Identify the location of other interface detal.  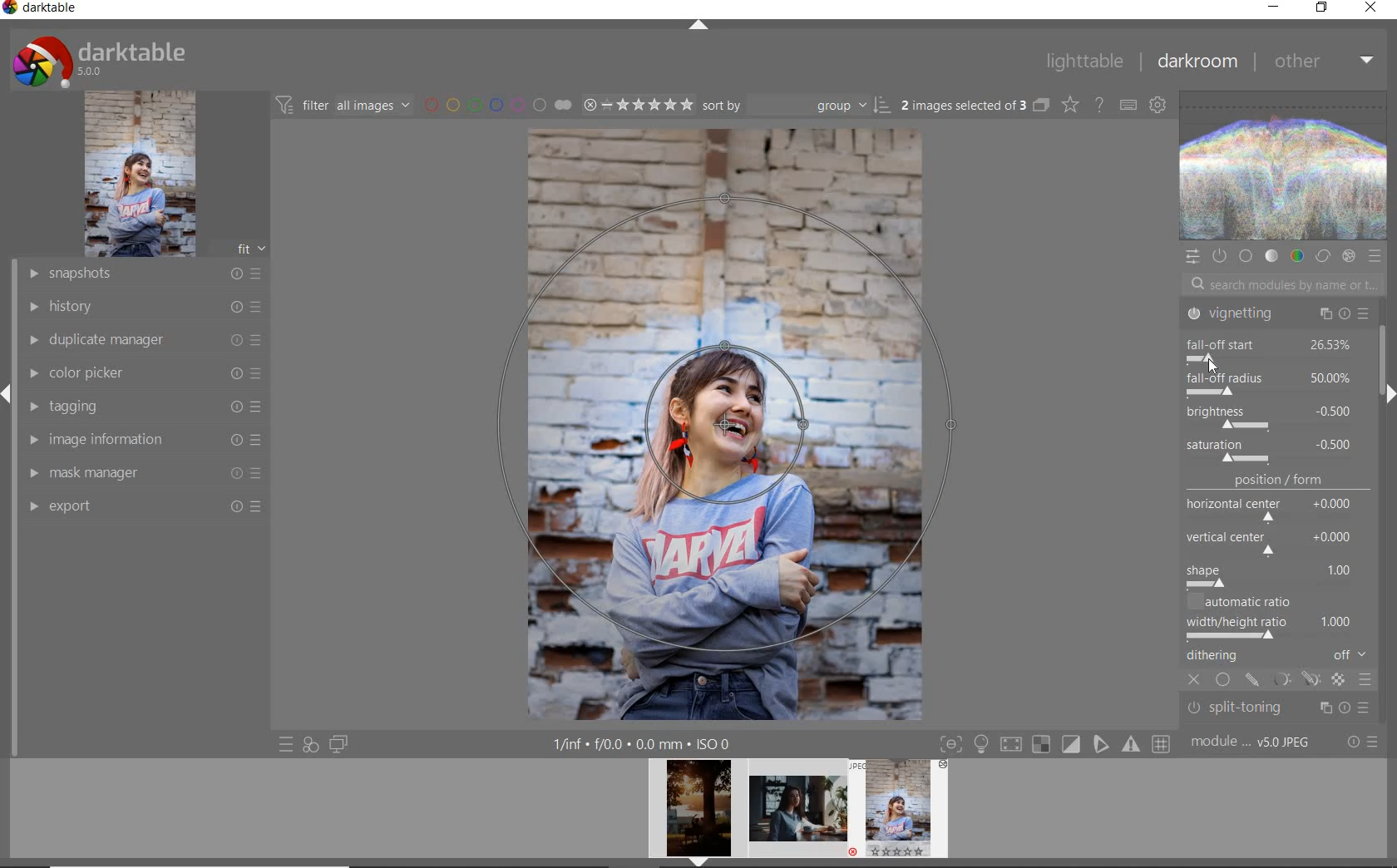
(644, 744).